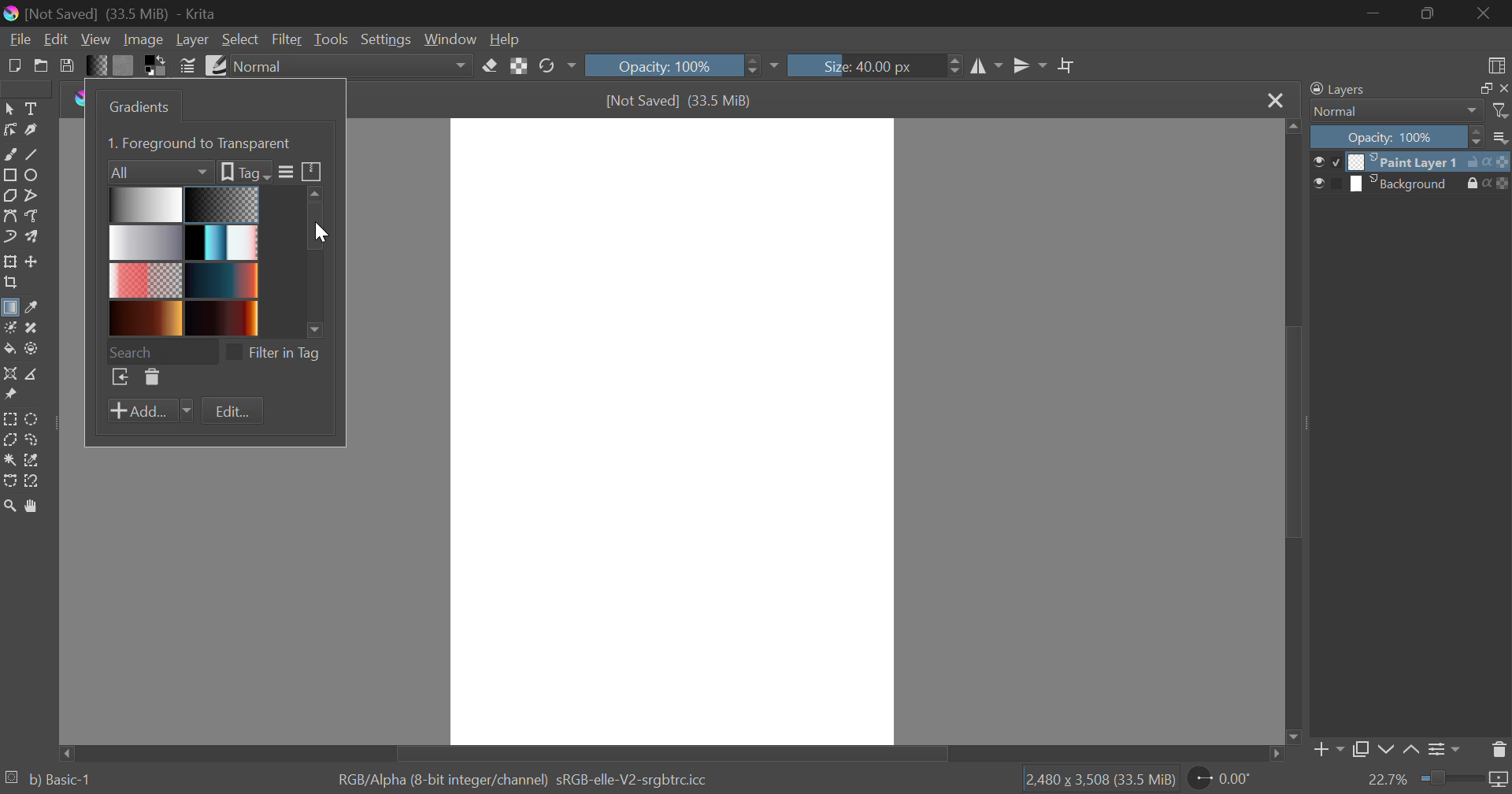 This screenshot has width=1512, height=794. What do you see at coordinates (30, 506) in the screenshot?
I see `Pan` at bounding box center [30, 506].